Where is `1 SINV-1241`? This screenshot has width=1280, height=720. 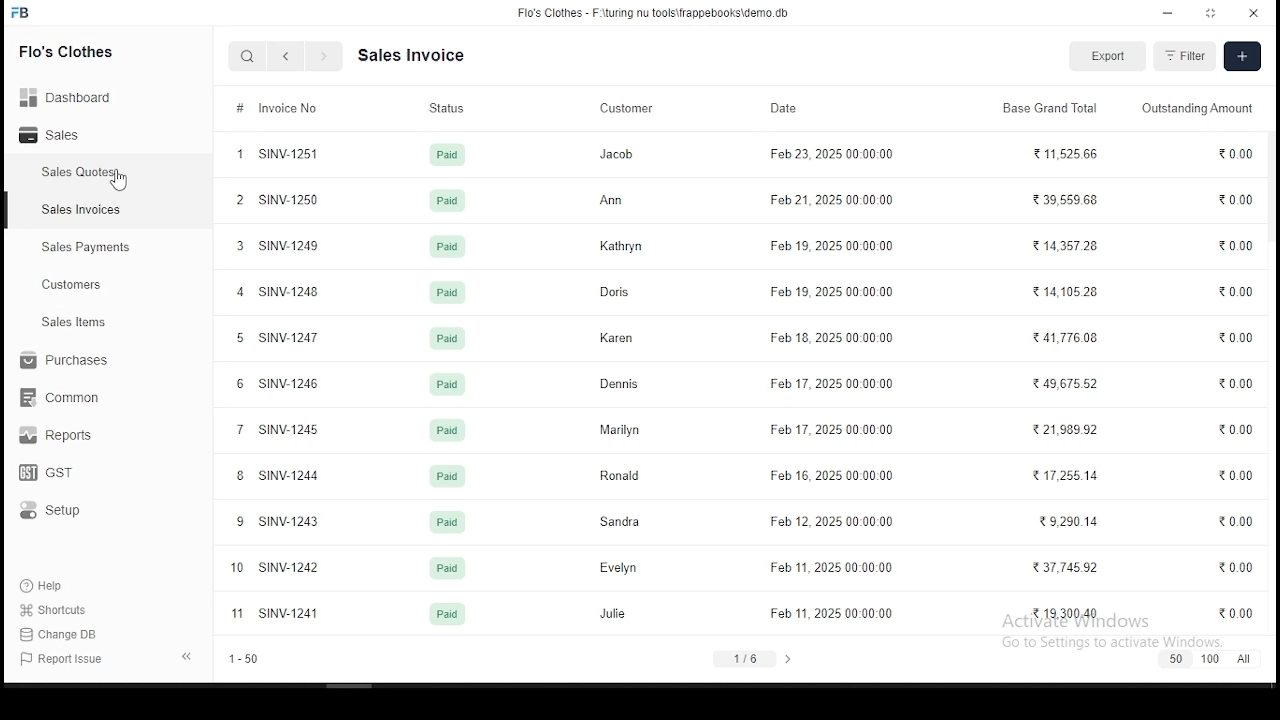
1 SINV-1241 is located at coordinates (277, 613).